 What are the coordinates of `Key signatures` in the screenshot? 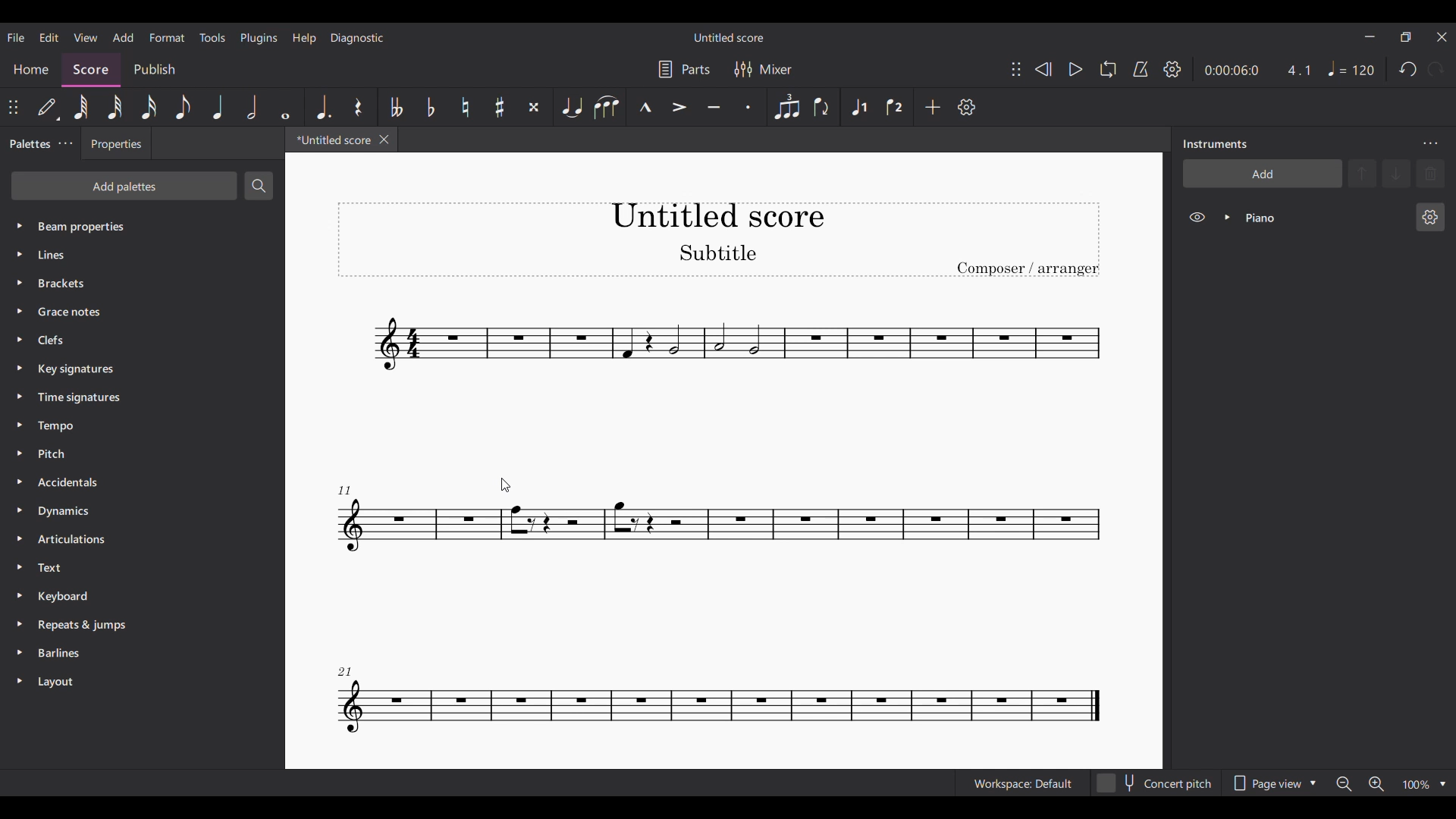 It's located at (140, 370).